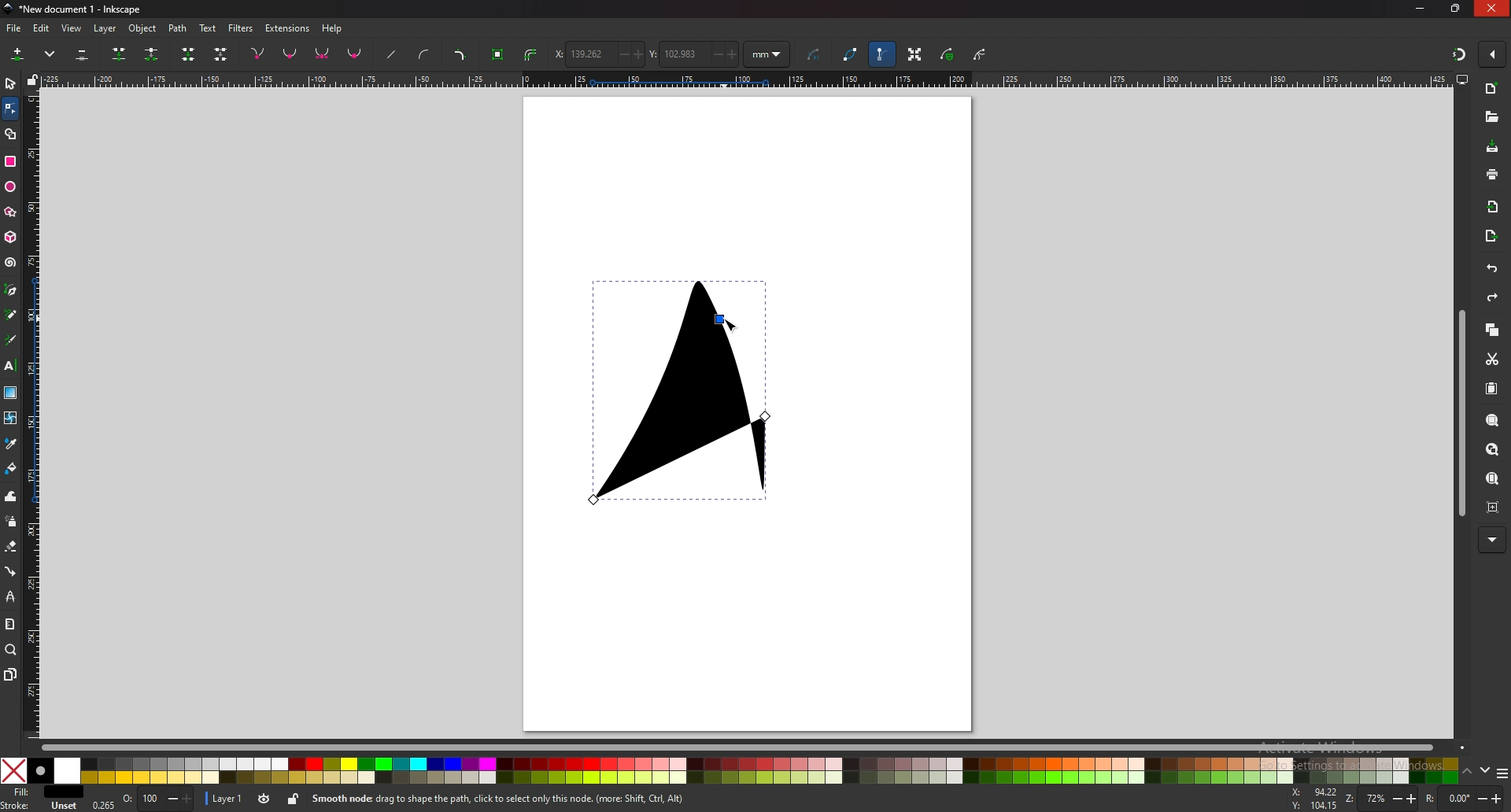  What do you see at coordinates (694, 53) in the screenshot?
I see `y coordinate` at bounding box center [694, 53].